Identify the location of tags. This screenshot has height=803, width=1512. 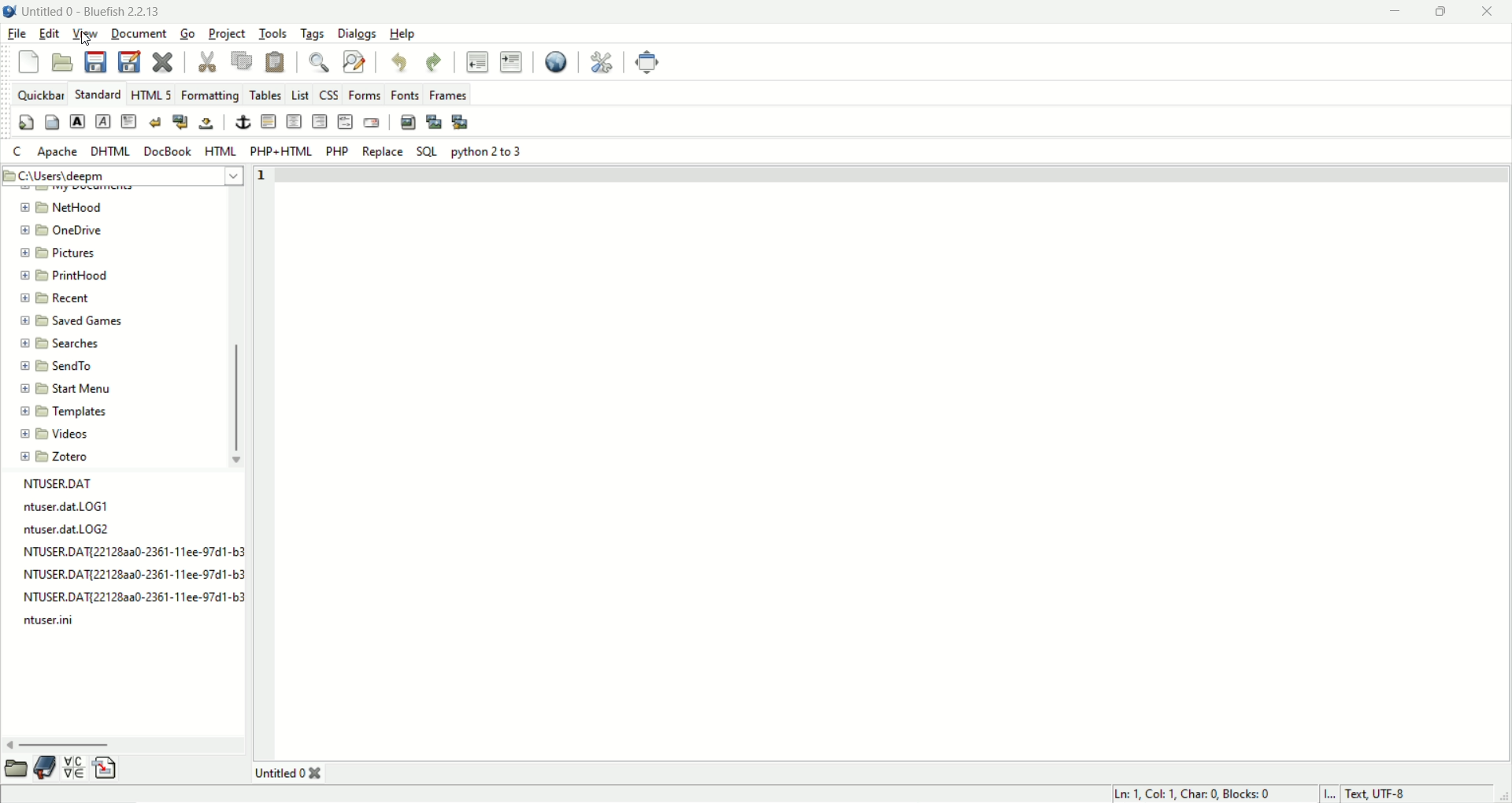
(314, 33).